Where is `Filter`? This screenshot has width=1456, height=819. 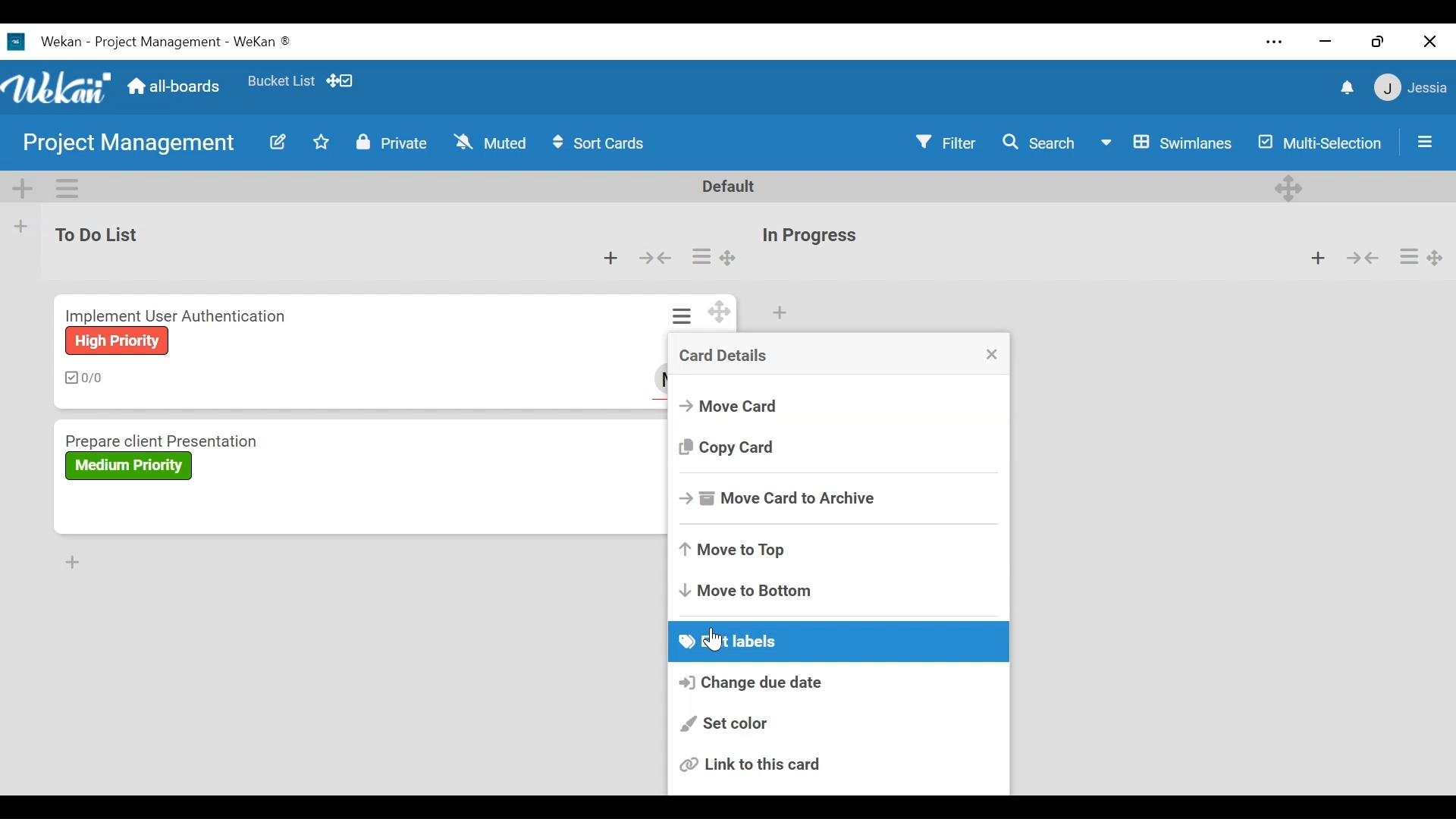
Filter is located at coordinates (943, 143).